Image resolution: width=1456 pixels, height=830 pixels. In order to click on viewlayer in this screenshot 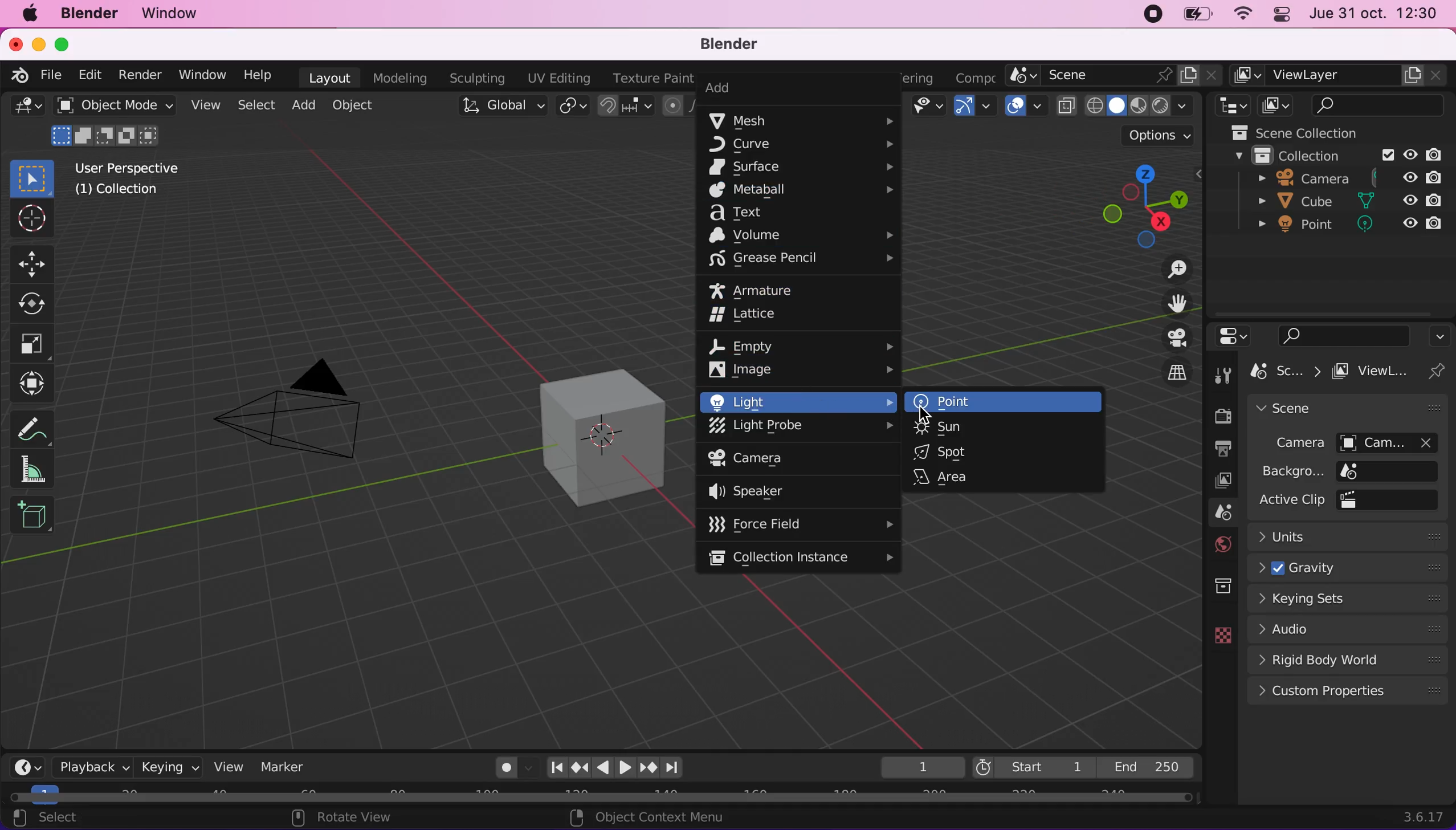, I will do `click(1377, 372)`.